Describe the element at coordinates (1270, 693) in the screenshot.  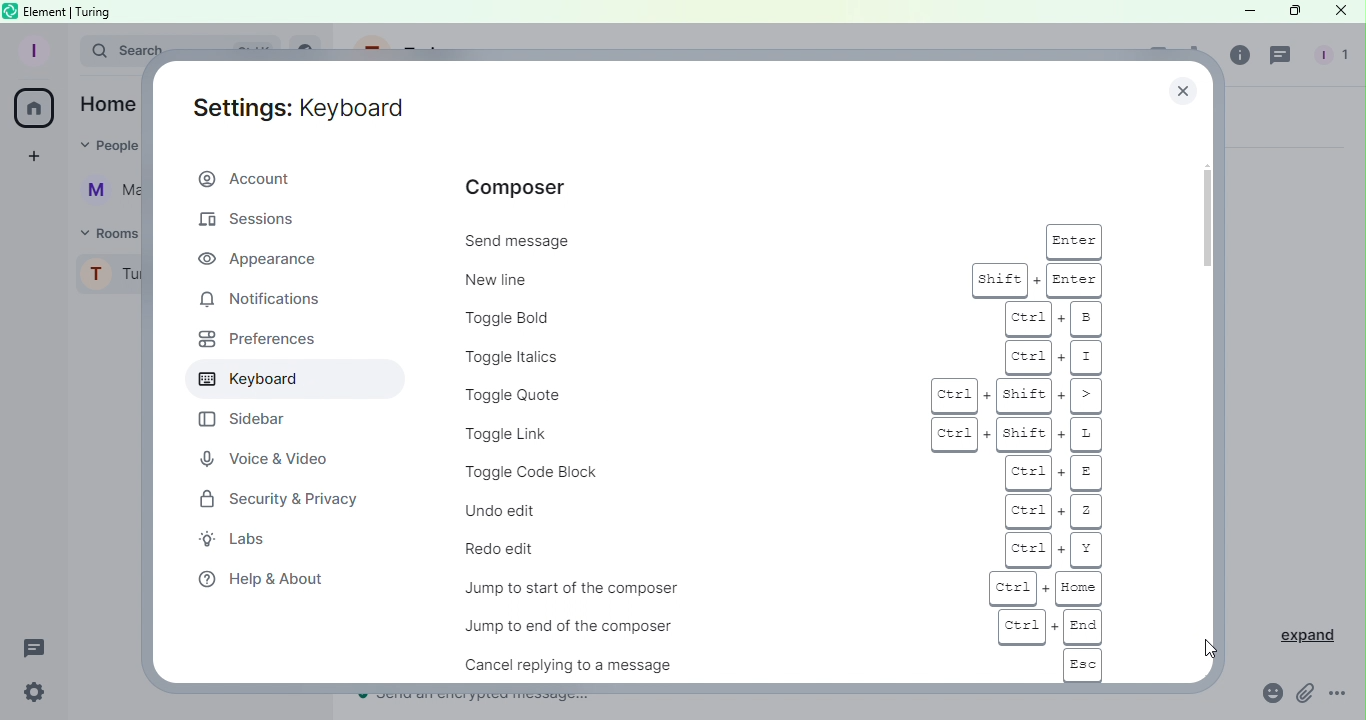
I see `Emoji` at that location.